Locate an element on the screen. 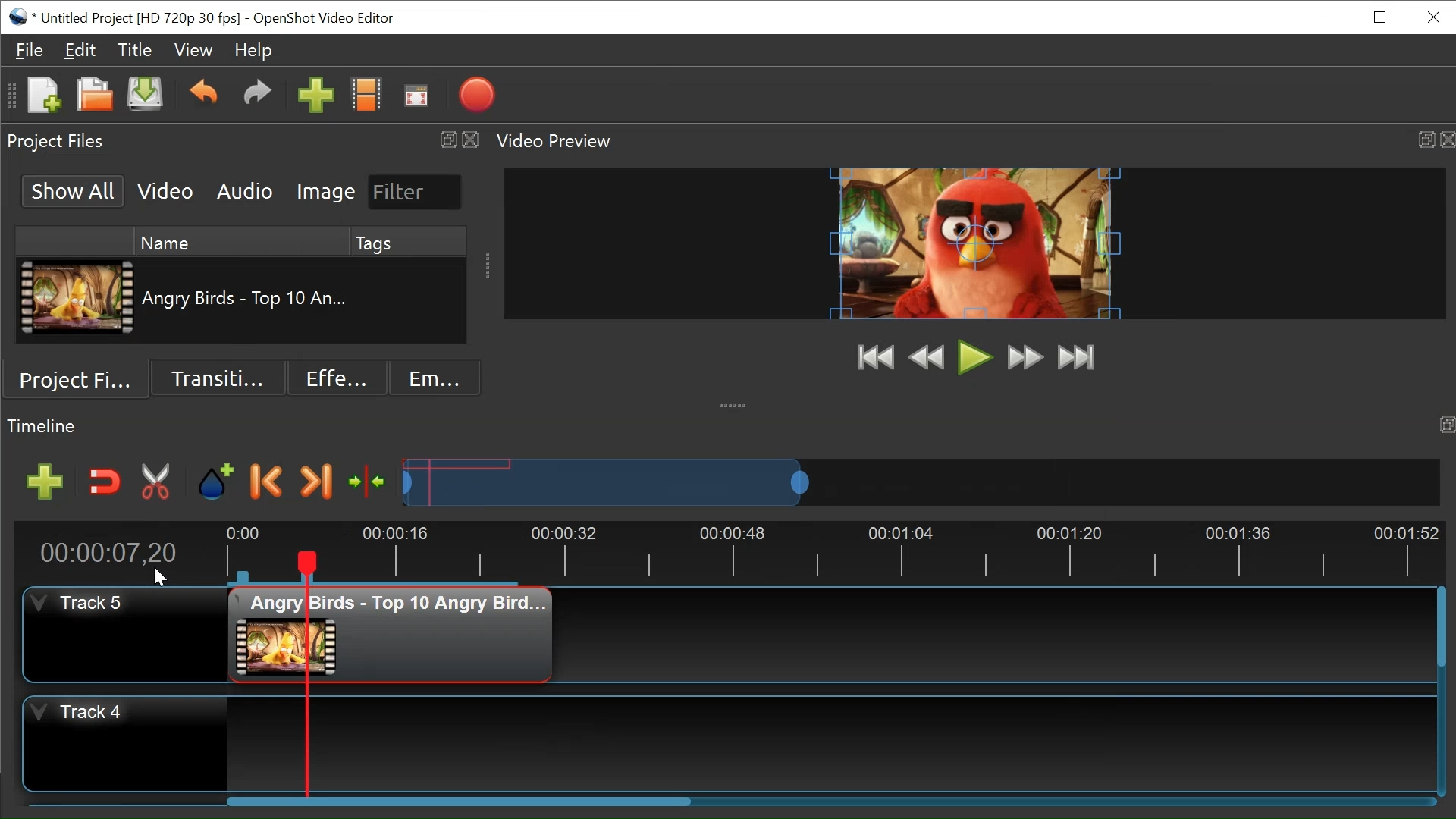 Image resolution: width=1456 pixels, height=819 pixels. collapse is located at coordinates (736, 403).